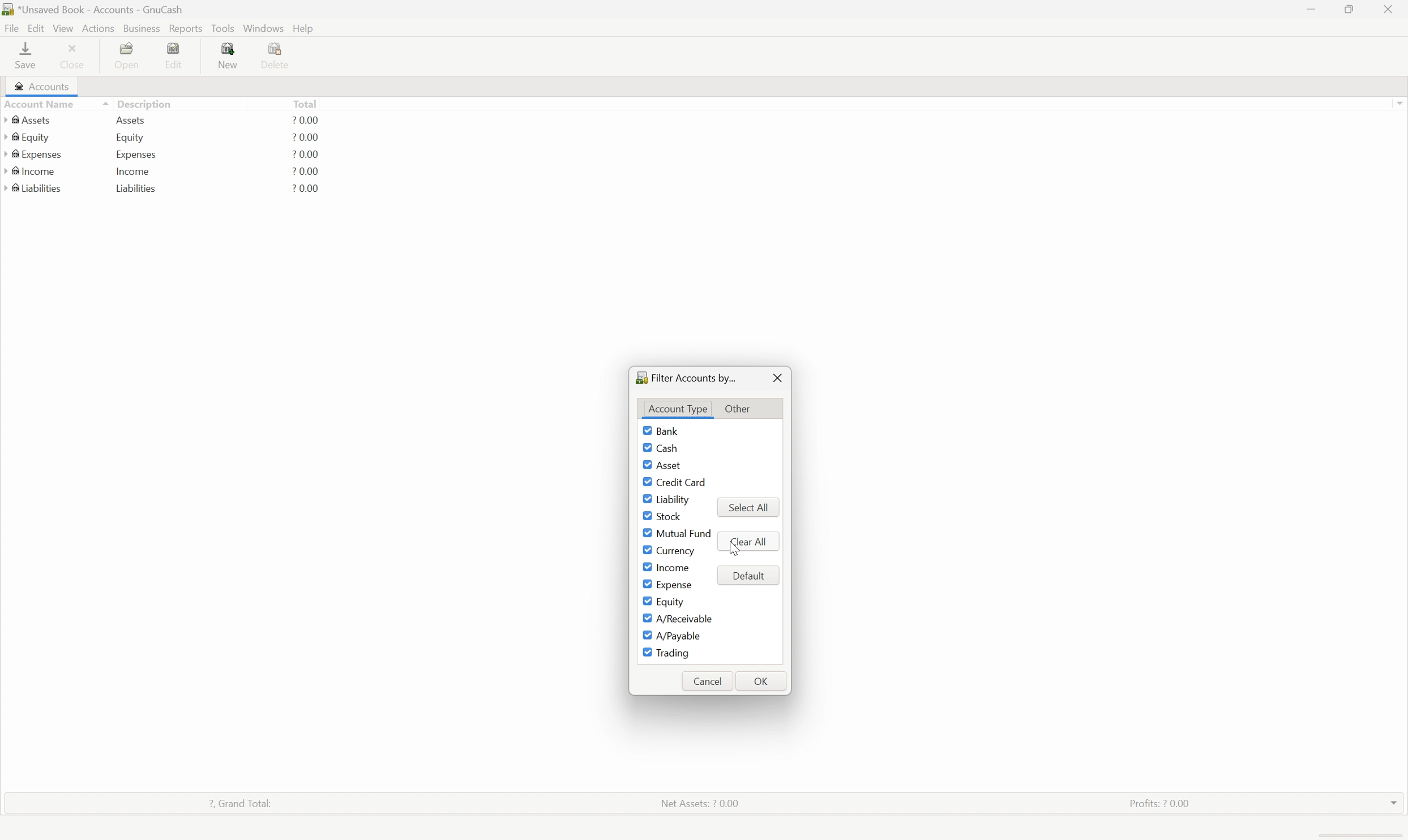 The image size is (1408, 840). What do you see at coordinates (35, 27) in the screenshot?
I see `Edit` at bounding box center [35, 27].